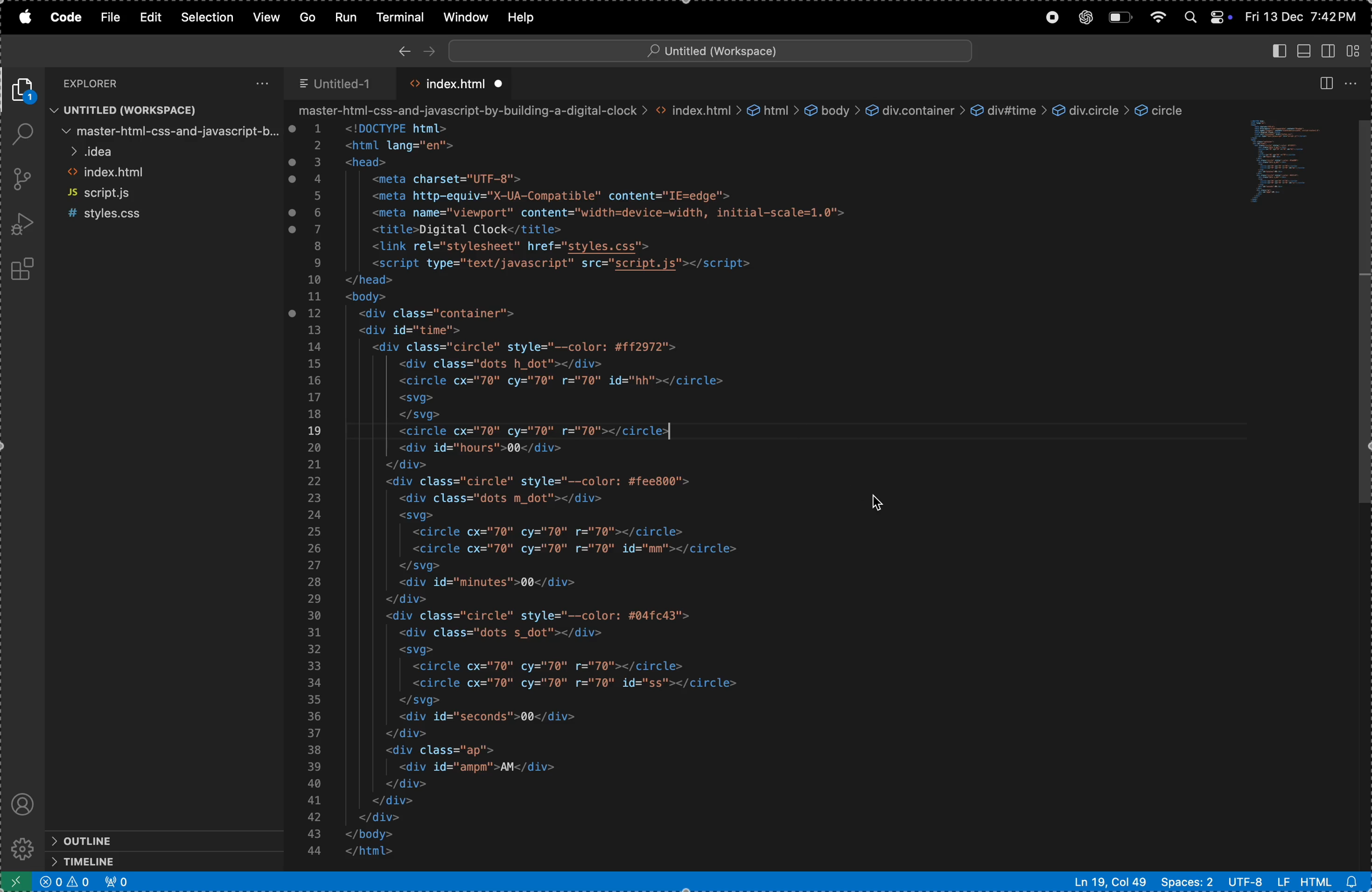 The image size is (1372, 892). I want to click on no ports forwarded, so click(117, 882).